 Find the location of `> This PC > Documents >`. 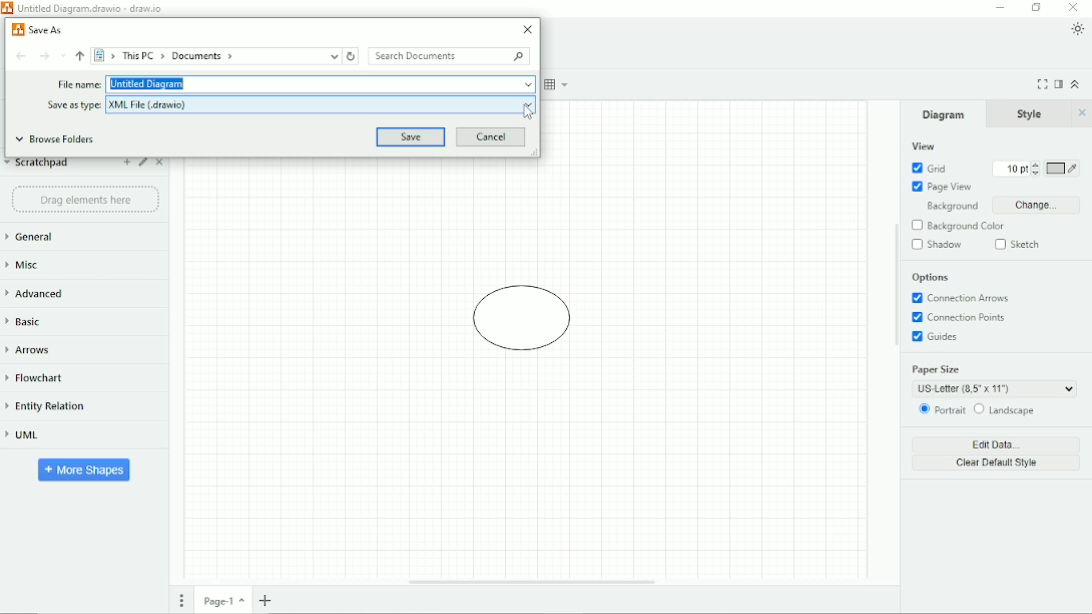

> This PC > Documents > is located at coordinates (216, 56).